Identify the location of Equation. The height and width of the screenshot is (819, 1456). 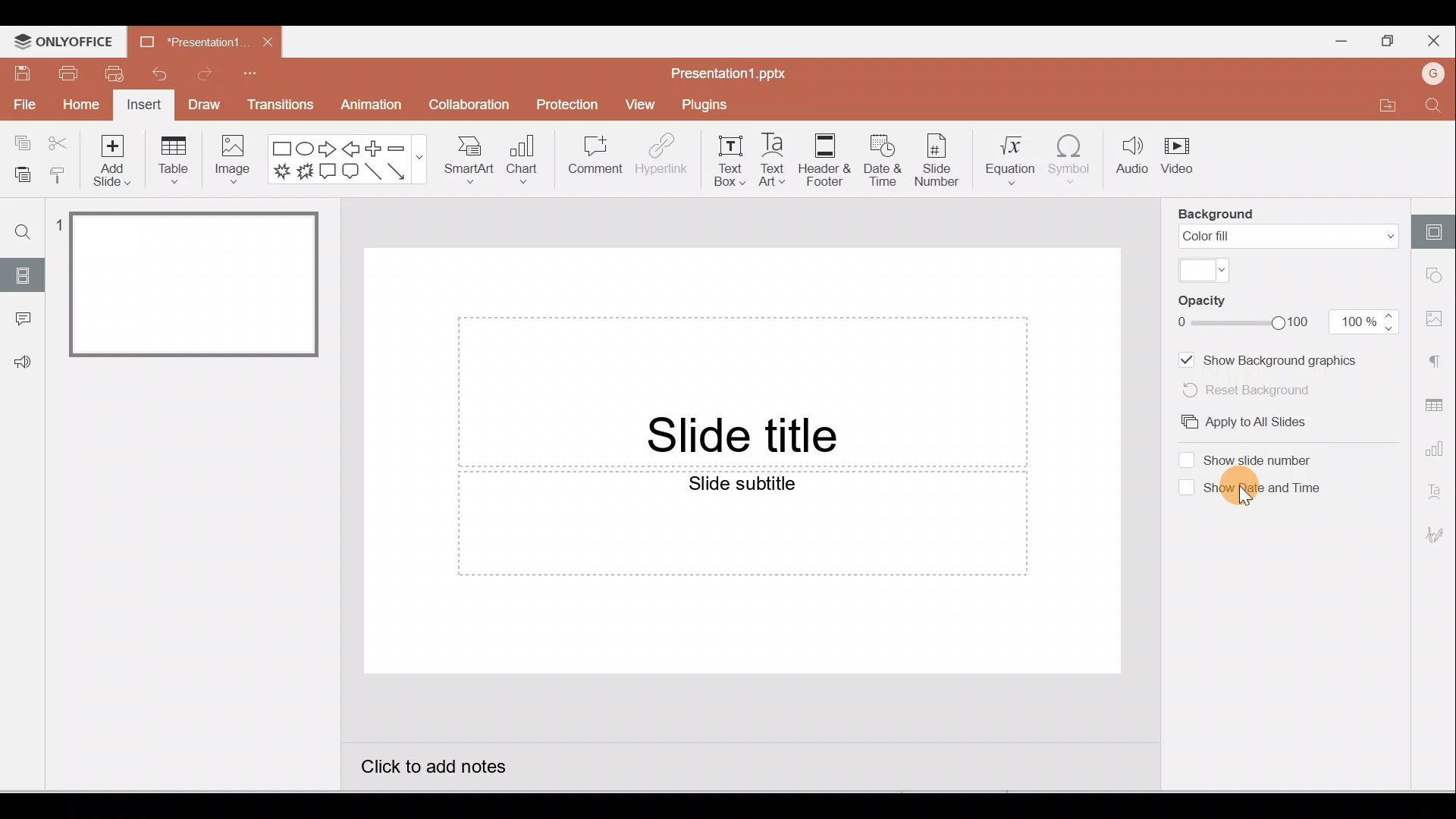
(1009, 159).